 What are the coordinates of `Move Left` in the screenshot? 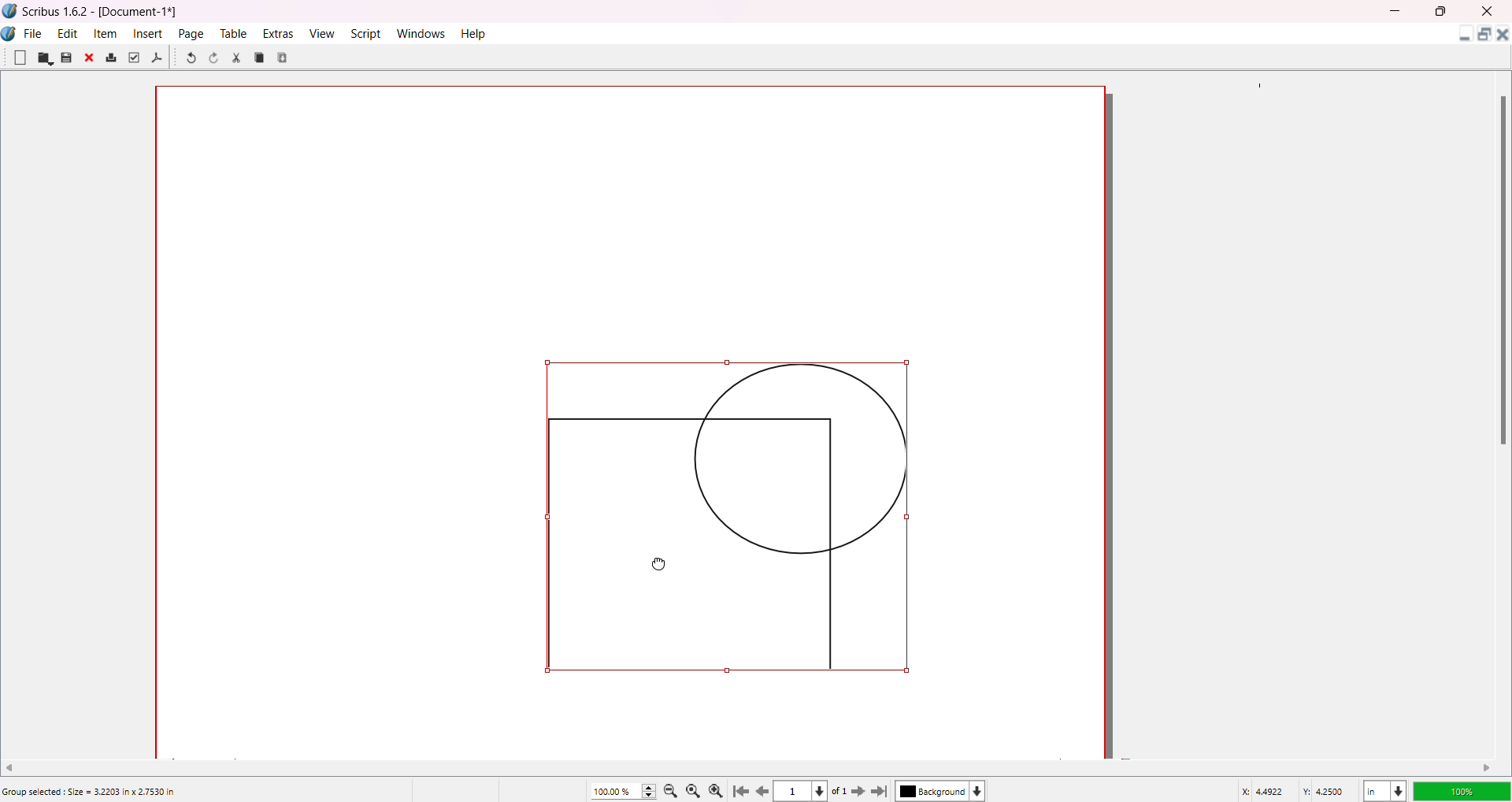 It's located at (15, 766).